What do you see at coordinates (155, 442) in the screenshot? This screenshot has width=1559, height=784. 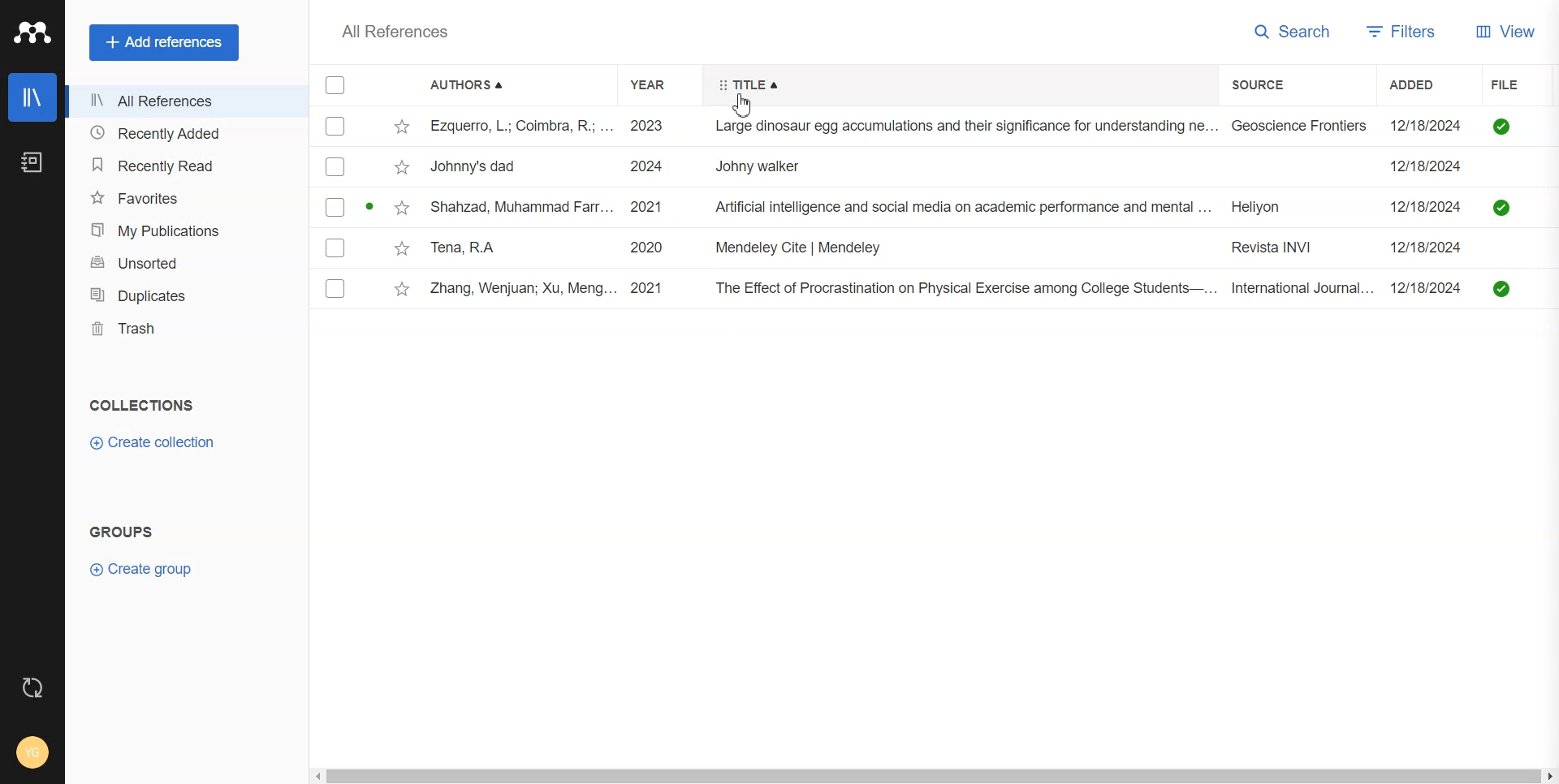 I see `Create collection` at bounding box center [155, 442].